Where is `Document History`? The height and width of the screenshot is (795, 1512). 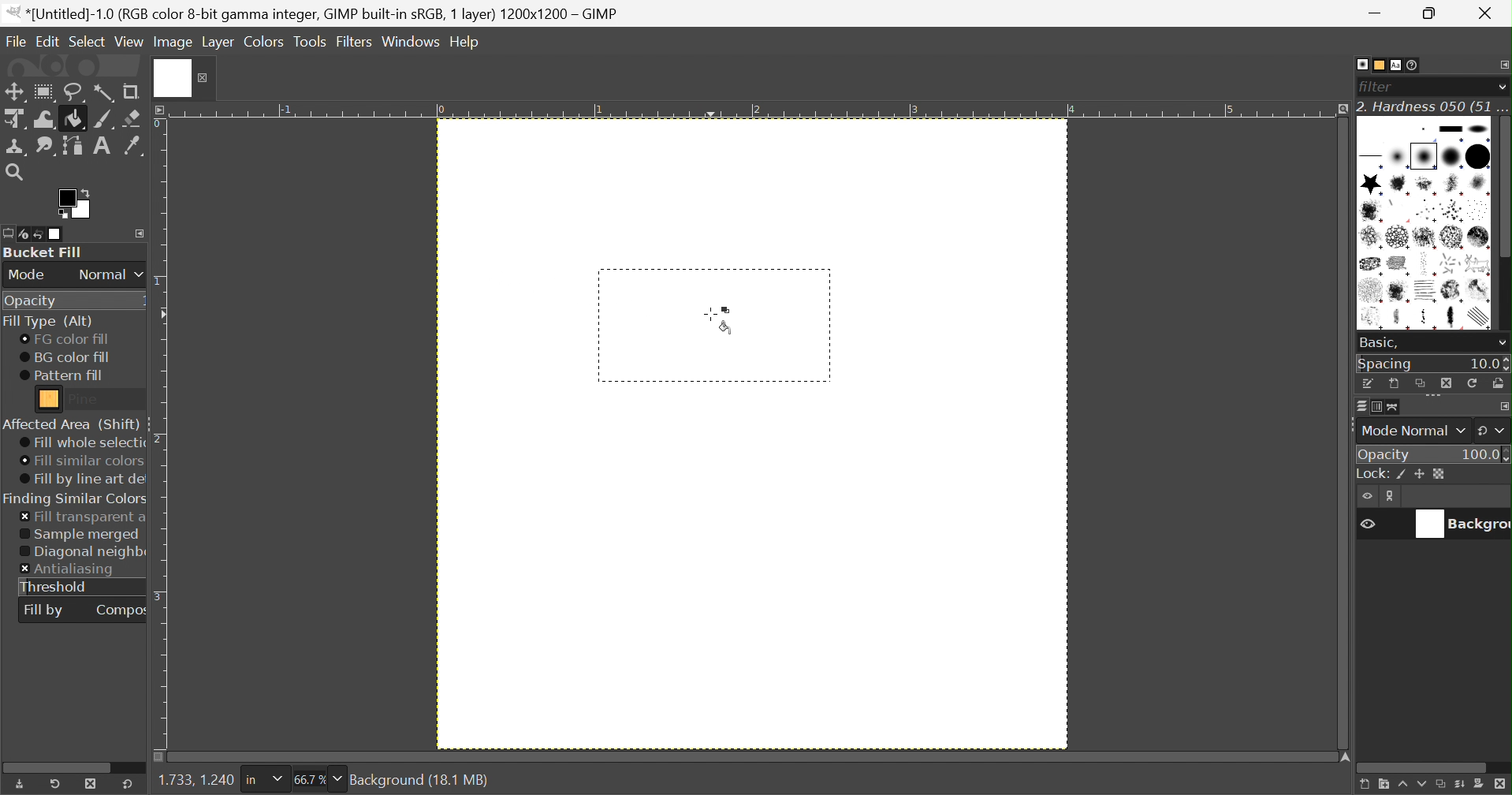 Document History is located at coordinates (1413, 65).